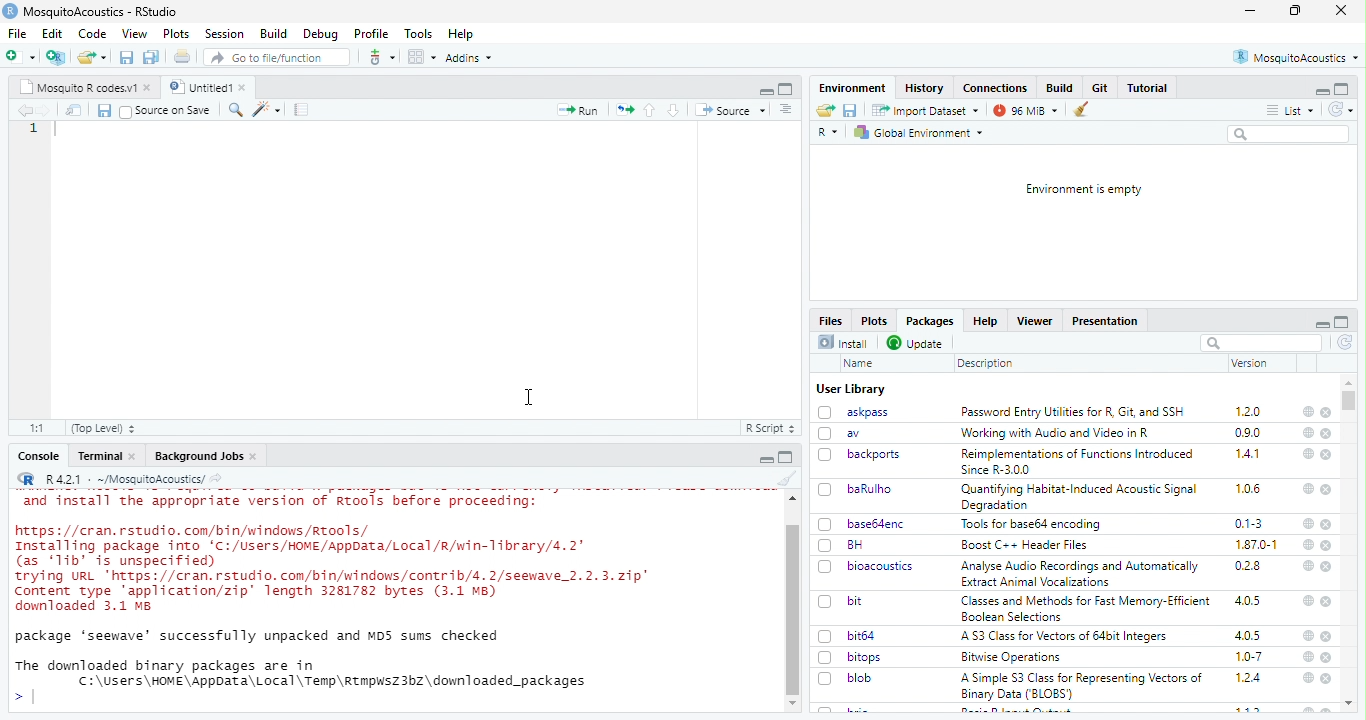 Image resolution: width=1366 pixels, height=720 pixels. I want to click on User Library, so click(853, 390).